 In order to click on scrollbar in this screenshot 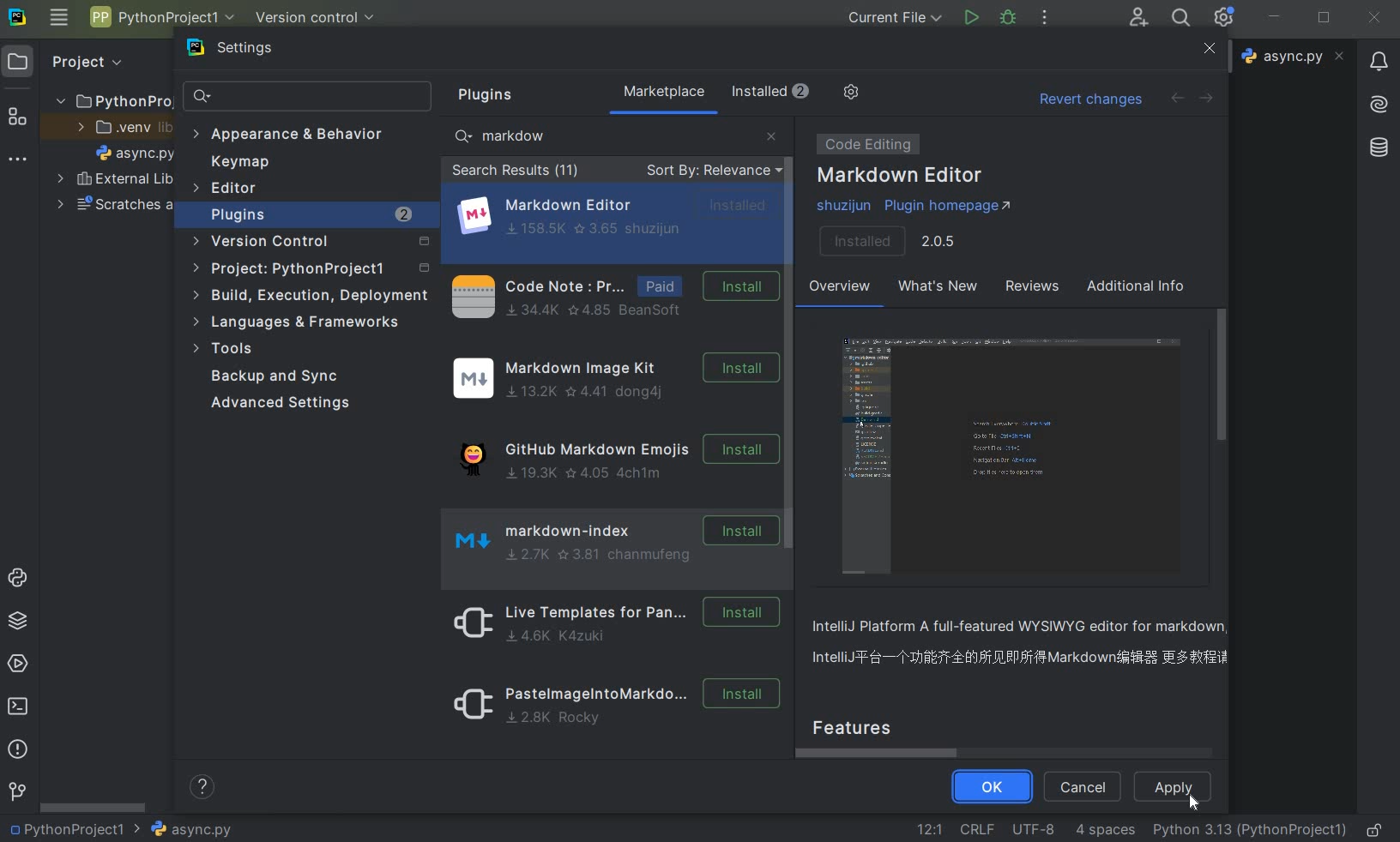, I will do `click(792, 338)`.